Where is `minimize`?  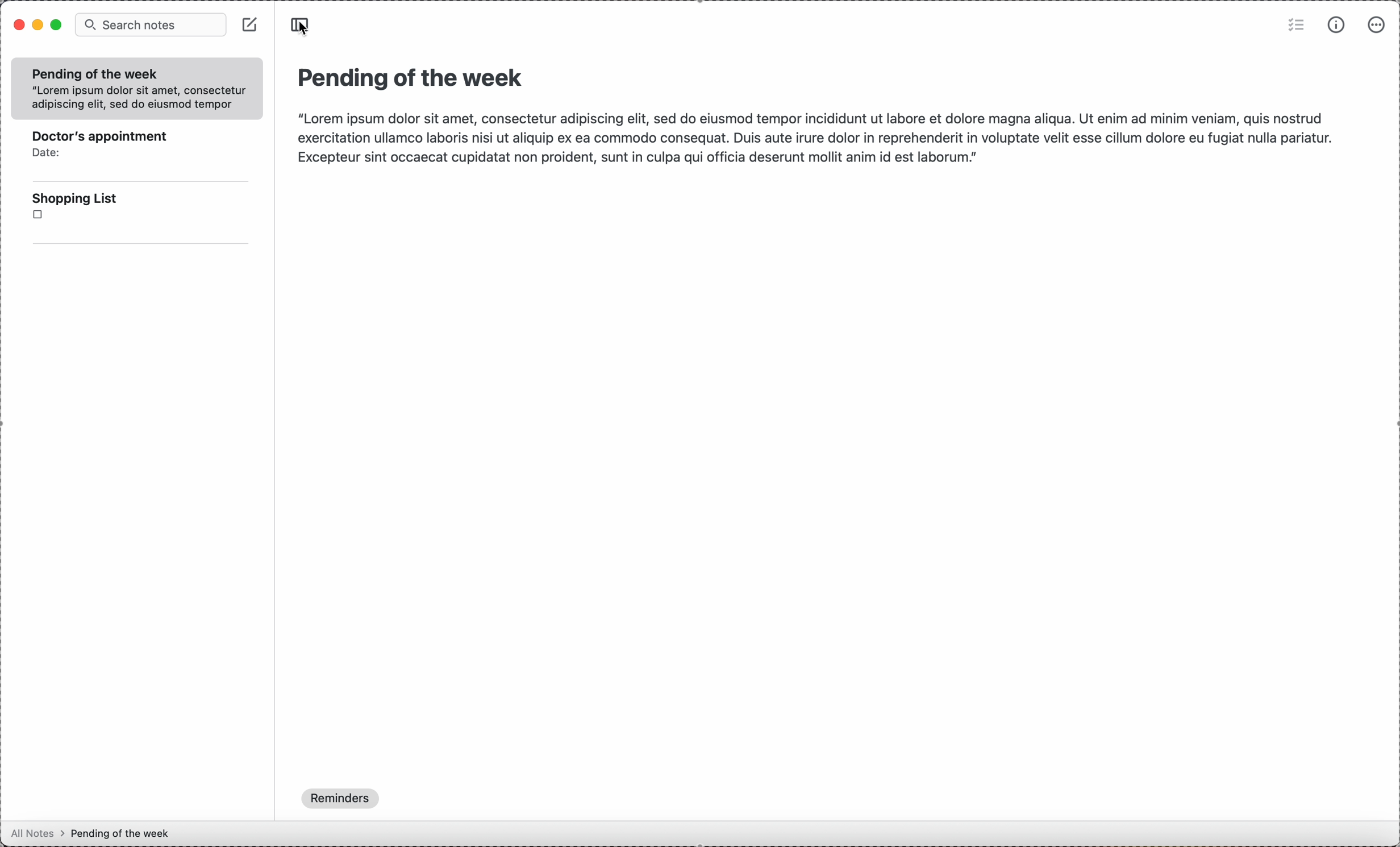 minimize is located at coordinates (41, 24).